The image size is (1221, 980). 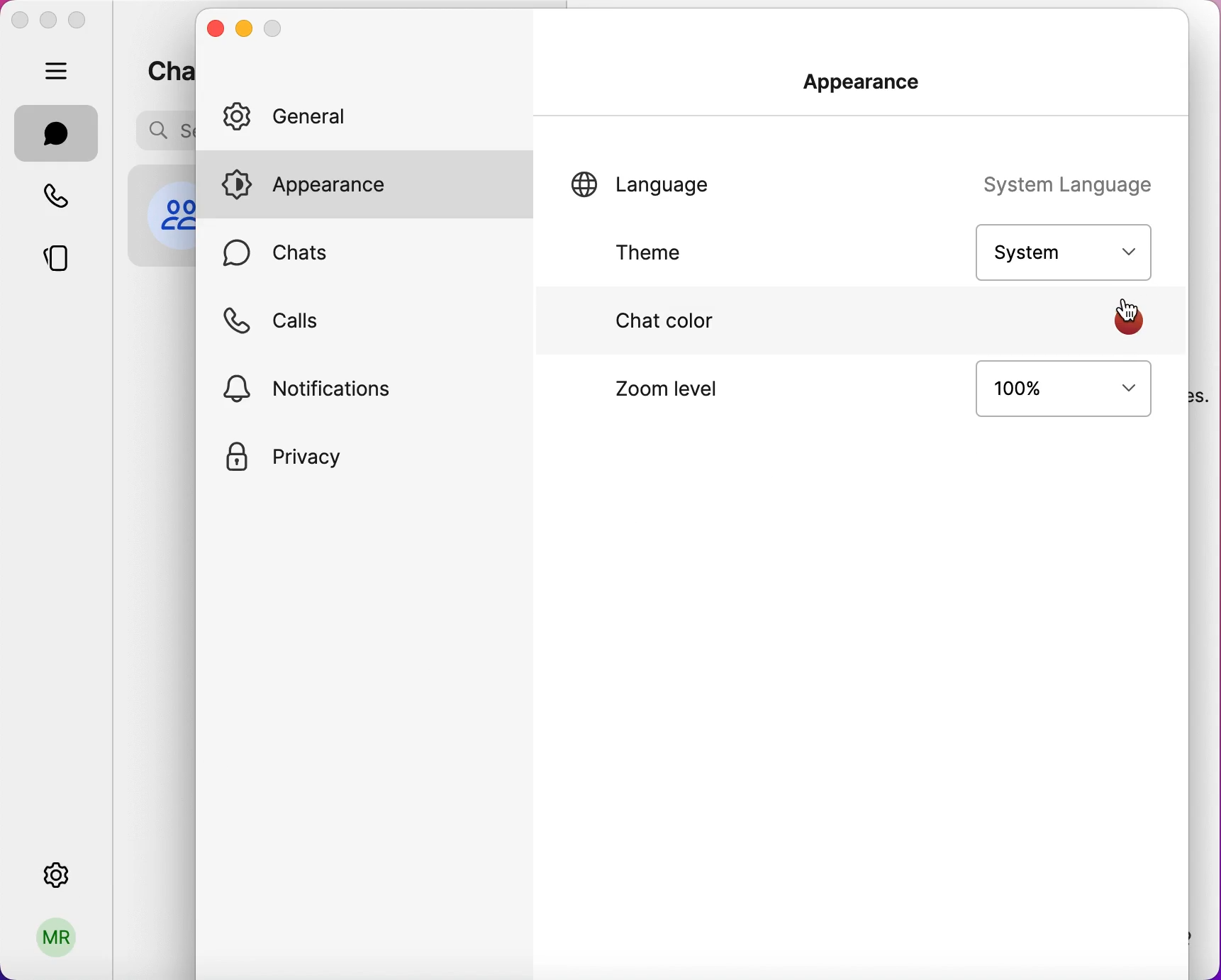 What do you see at coordinates (316, 387) in the screenshot?
I see `notifications` at bounding box center [316, 387].